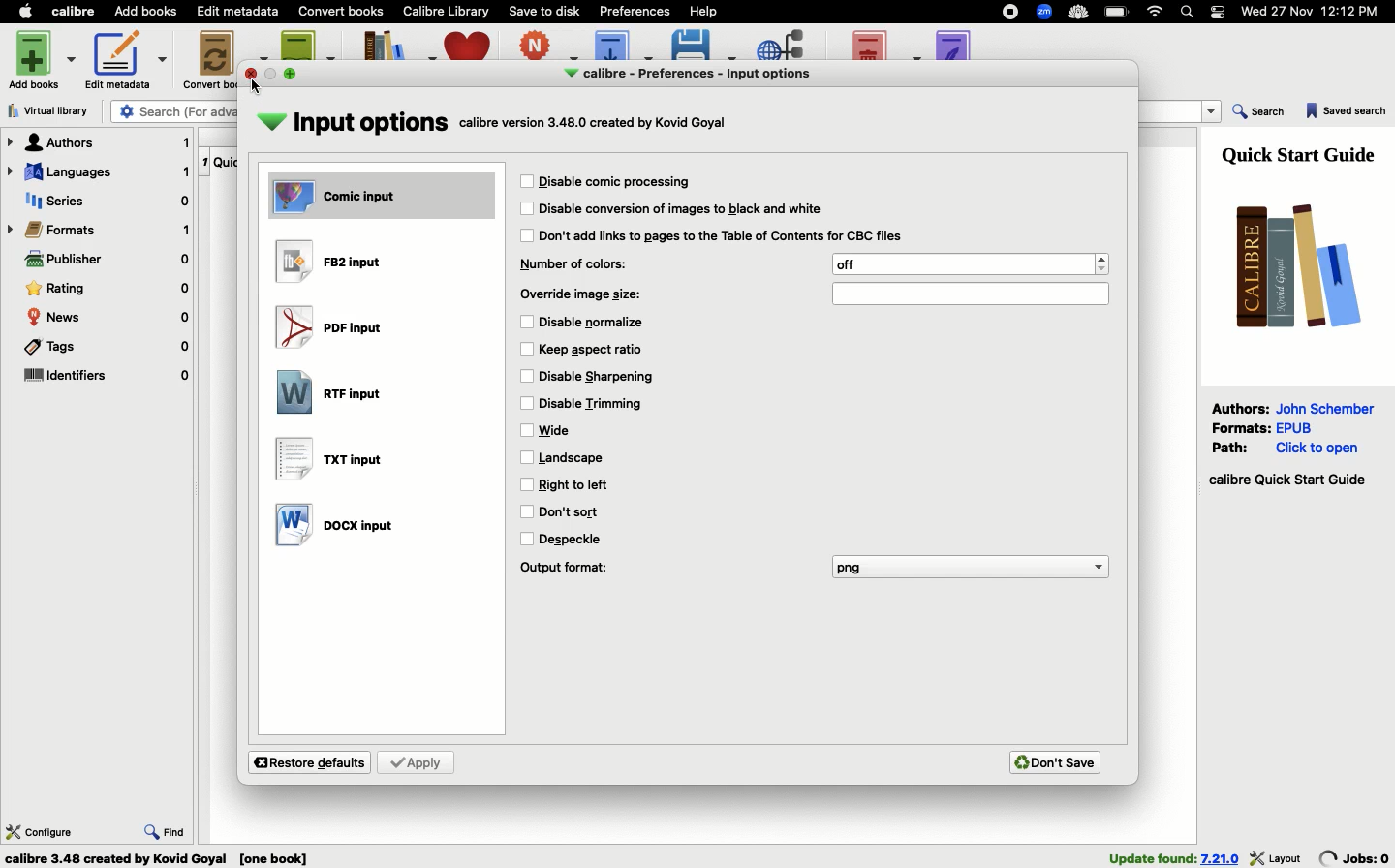 The height and width of the screenshot is (868, 1395). What do you see at coordinates (100, 230) in the screenshot?
I see `Formats` at bounding box center [100, 230].